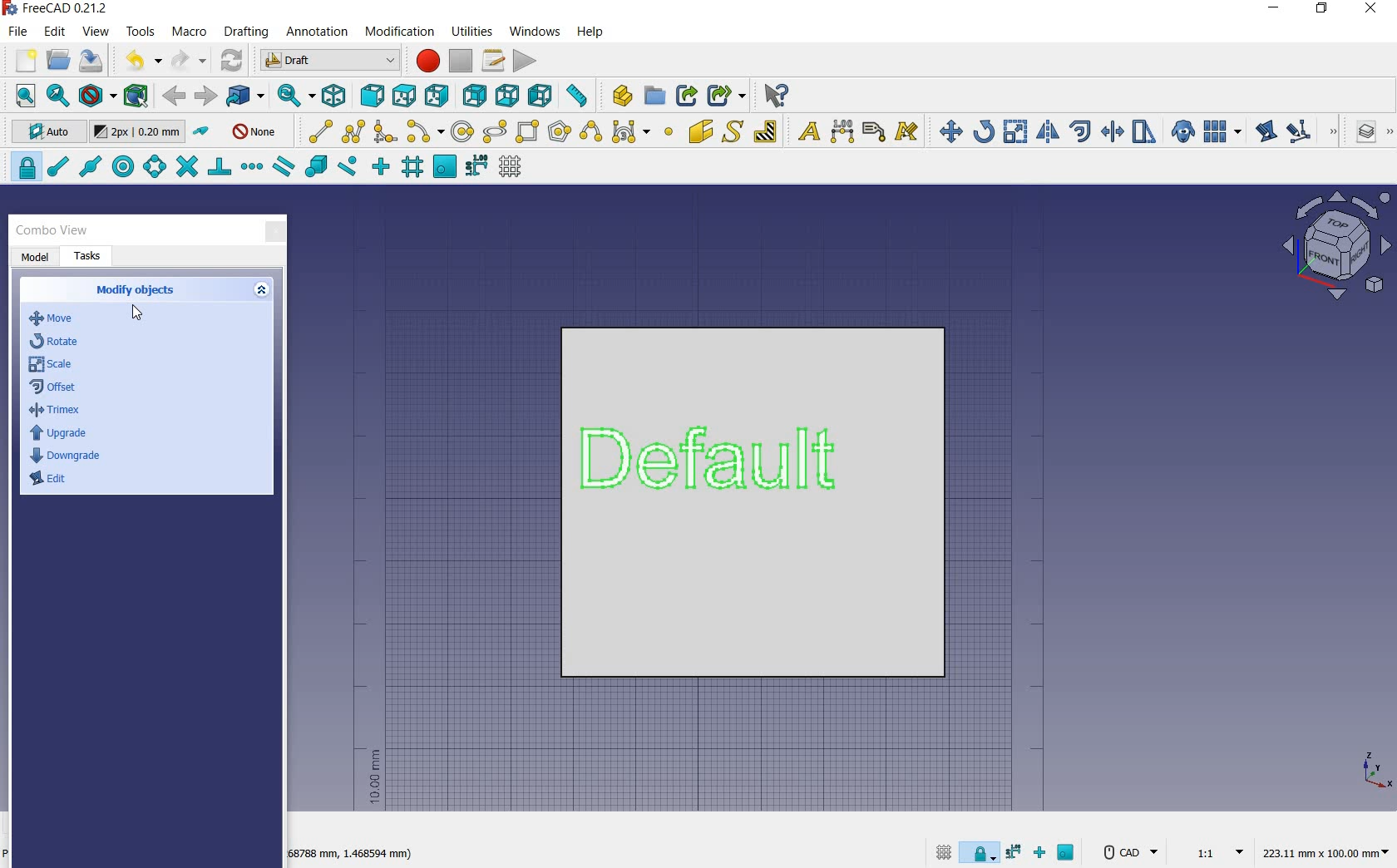 The width and height of the screenshot is (1397, 868). I want to click on utilities, so click(473, 30).